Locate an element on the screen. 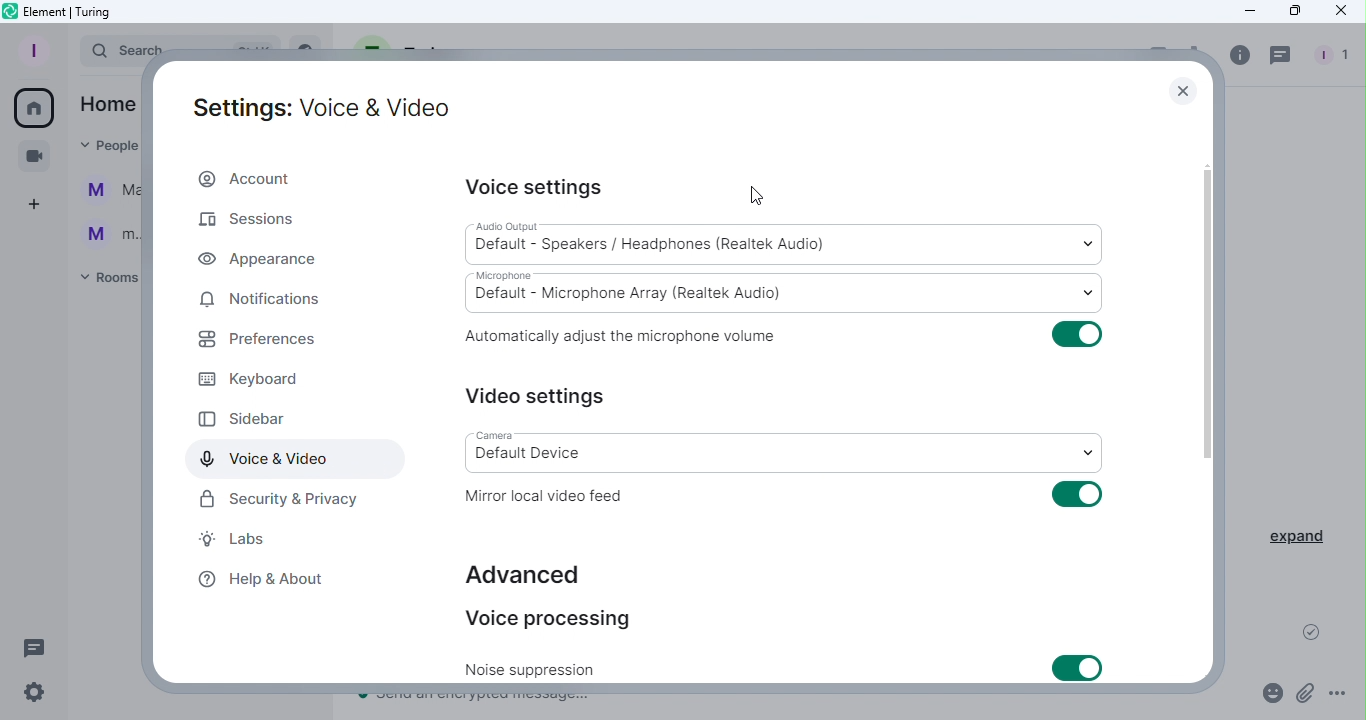 This screenshot has width=1366, height=720. Conferences is located at coordinates (32, 152).